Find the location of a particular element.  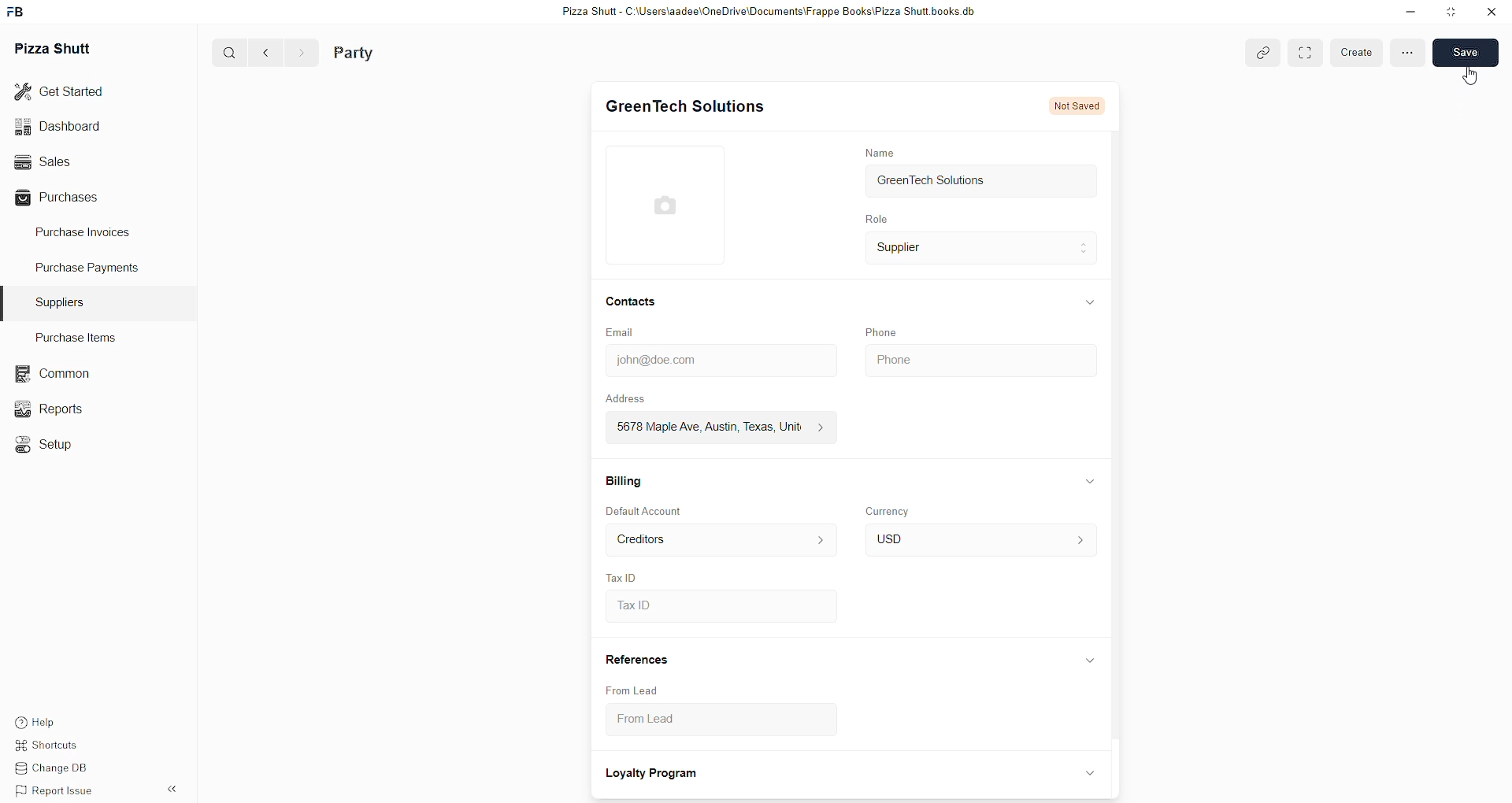

Role is located at coordinates (875, 220).